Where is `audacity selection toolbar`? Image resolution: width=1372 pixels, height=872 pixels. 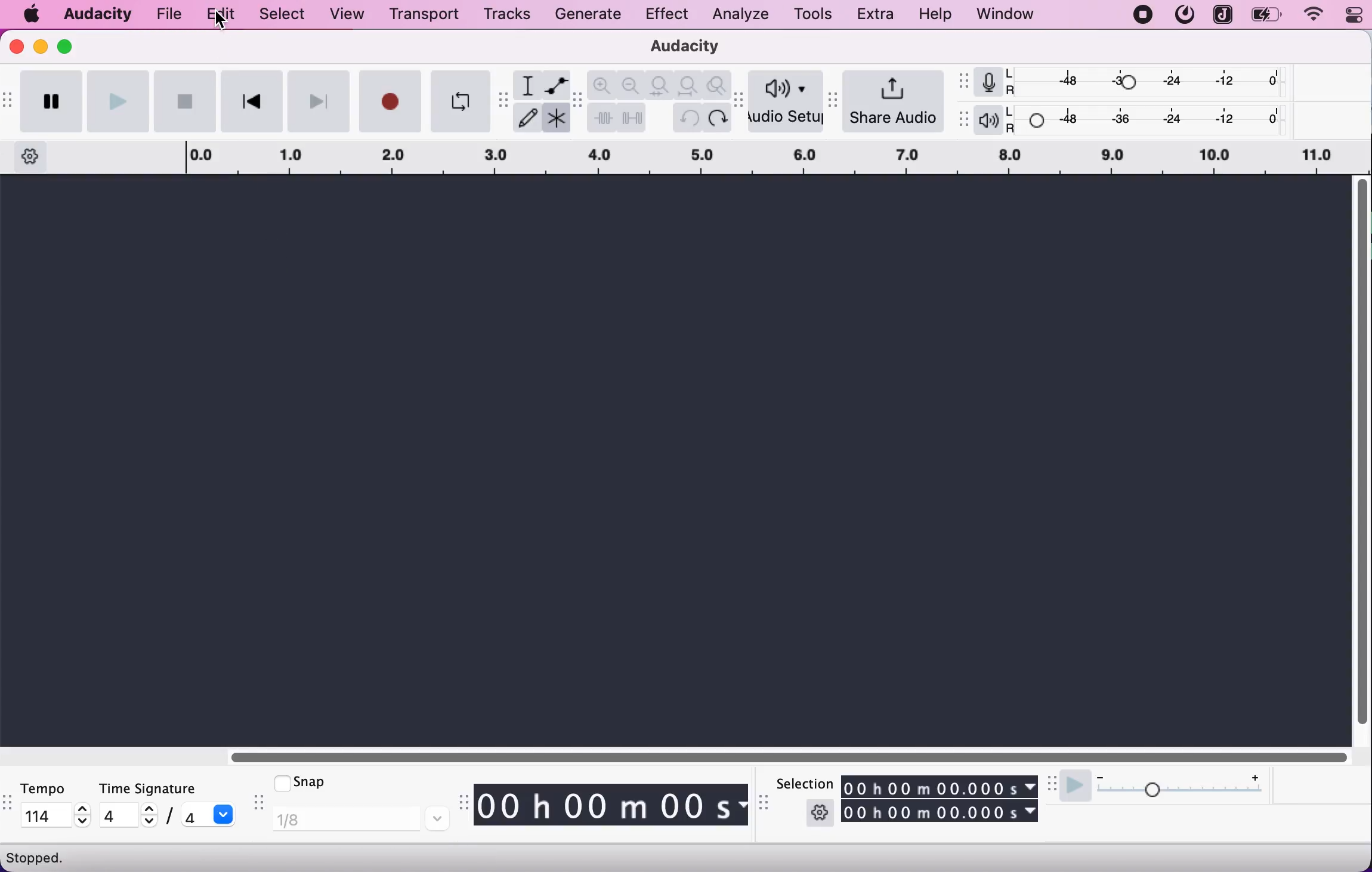
audacity selection toolbar is located at coordinates (766, 808).